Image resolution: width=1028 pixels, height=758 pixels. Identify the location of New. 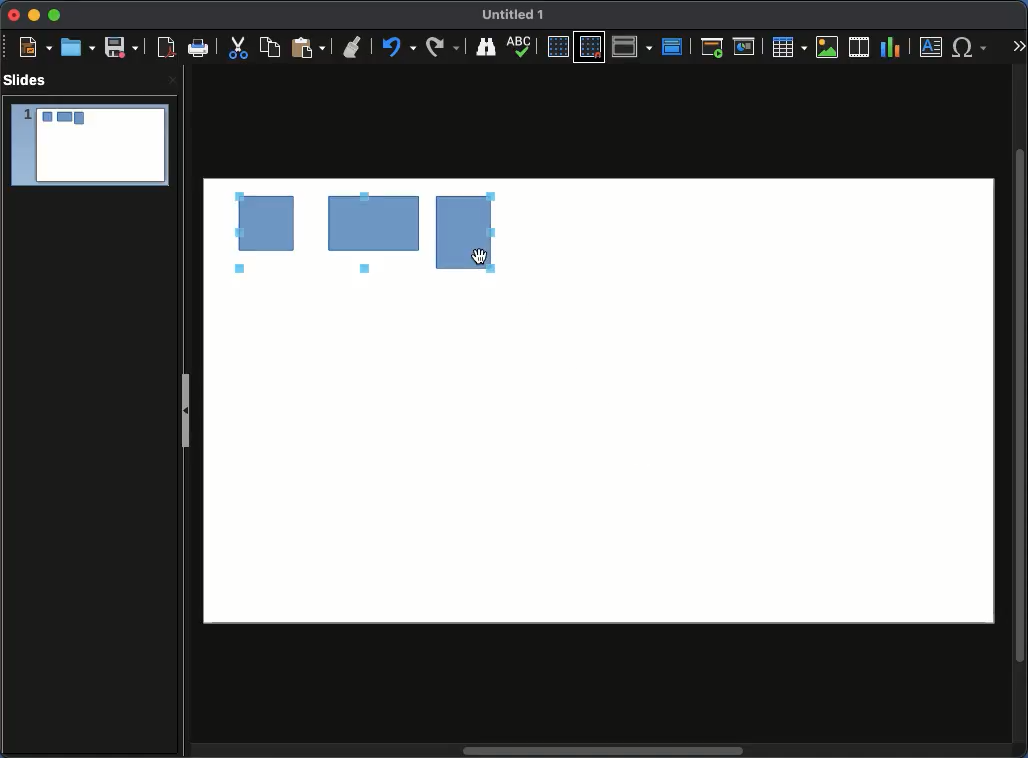
(30, 47).